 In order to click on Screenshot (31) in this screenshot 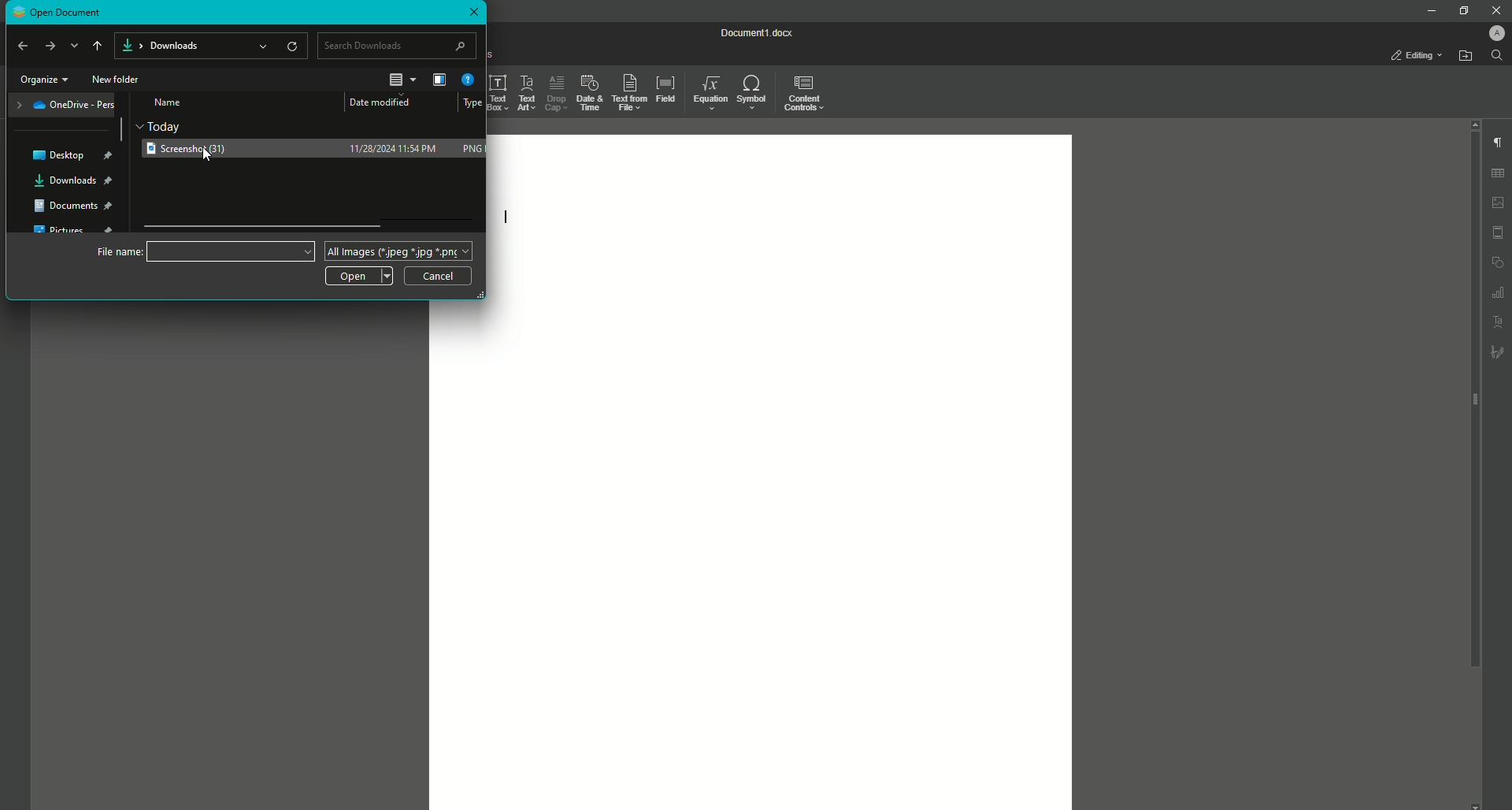, I will do `click(192, 150)`.